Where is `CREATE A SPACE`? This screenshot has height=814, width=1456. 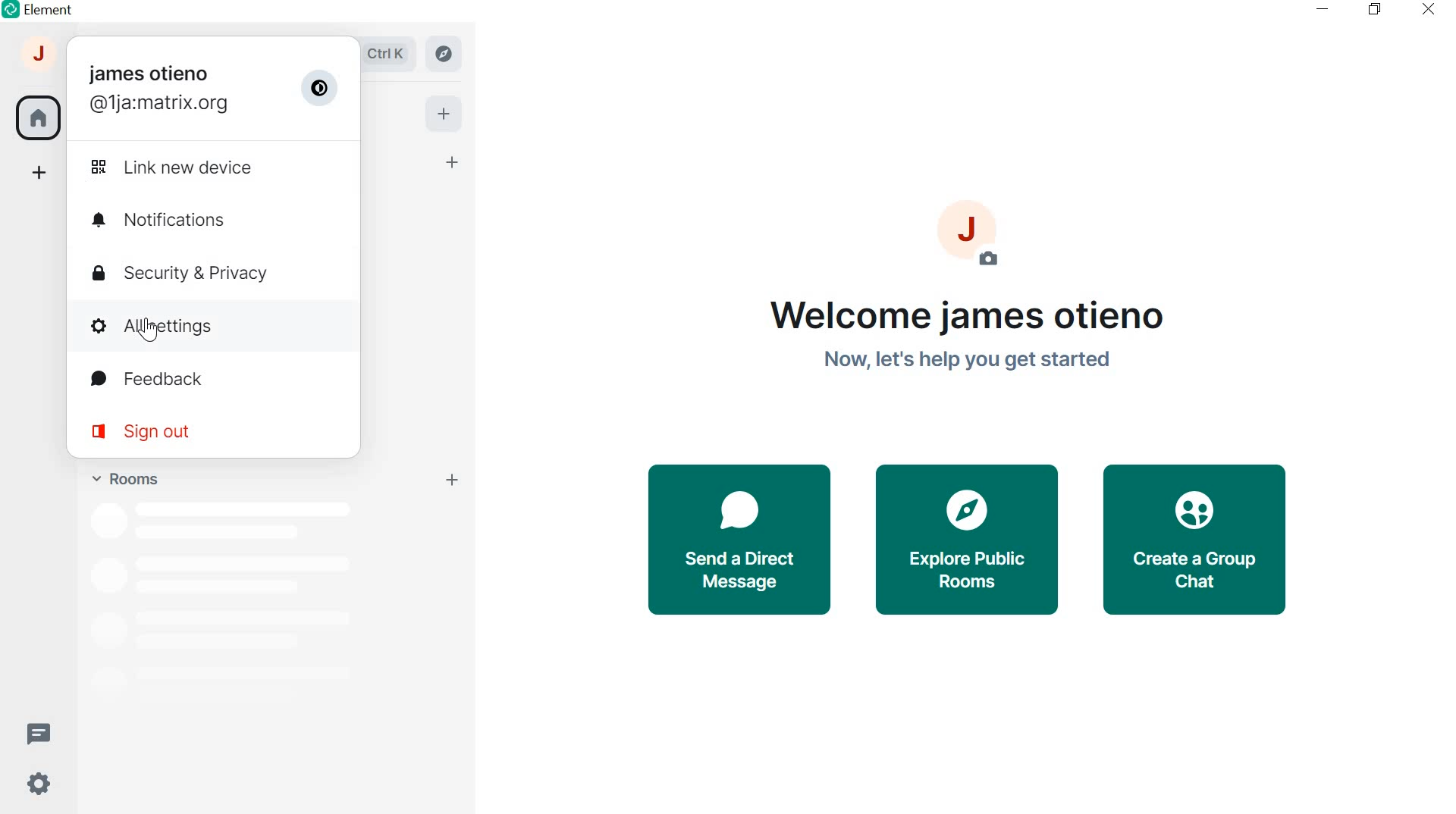 CREATE A SPACE is located at coordinates (40, 175).